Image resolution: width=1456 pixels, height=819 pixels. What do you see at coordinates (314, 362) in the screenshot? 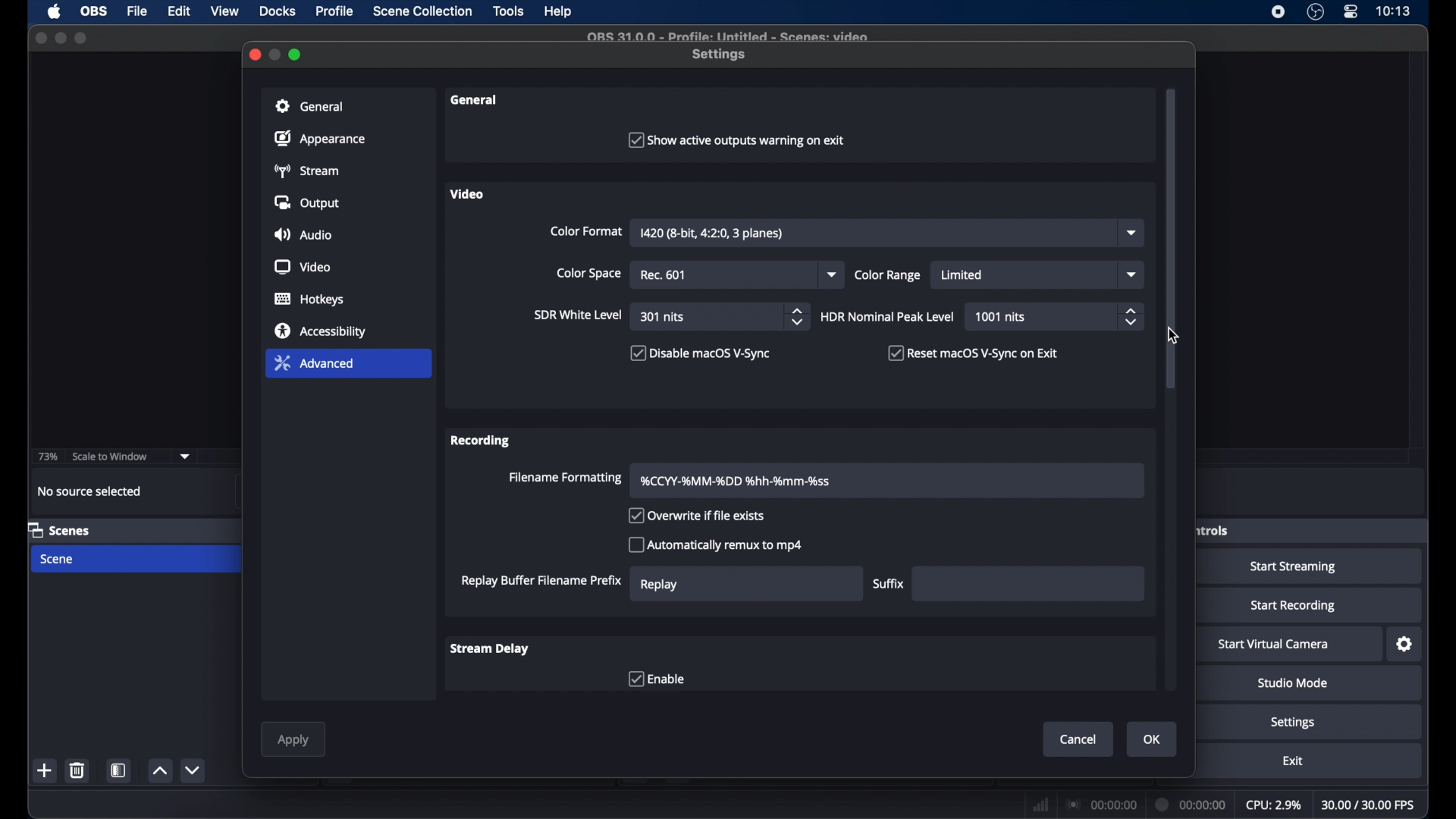
I see `advanced ` at bounding box center [314, 362].